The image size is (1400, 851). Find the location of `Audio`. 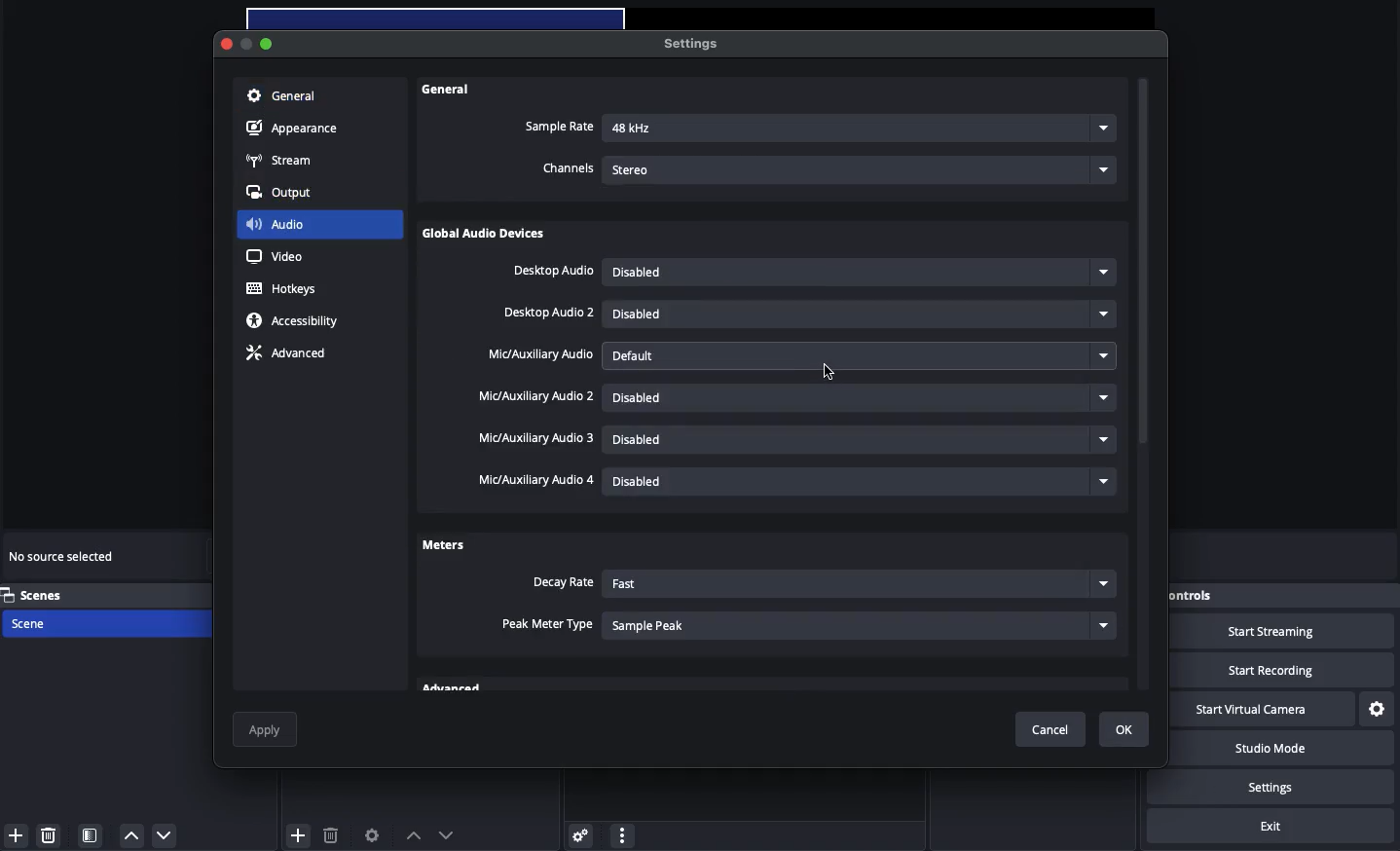

Audio is located at coordinates (276, 223).